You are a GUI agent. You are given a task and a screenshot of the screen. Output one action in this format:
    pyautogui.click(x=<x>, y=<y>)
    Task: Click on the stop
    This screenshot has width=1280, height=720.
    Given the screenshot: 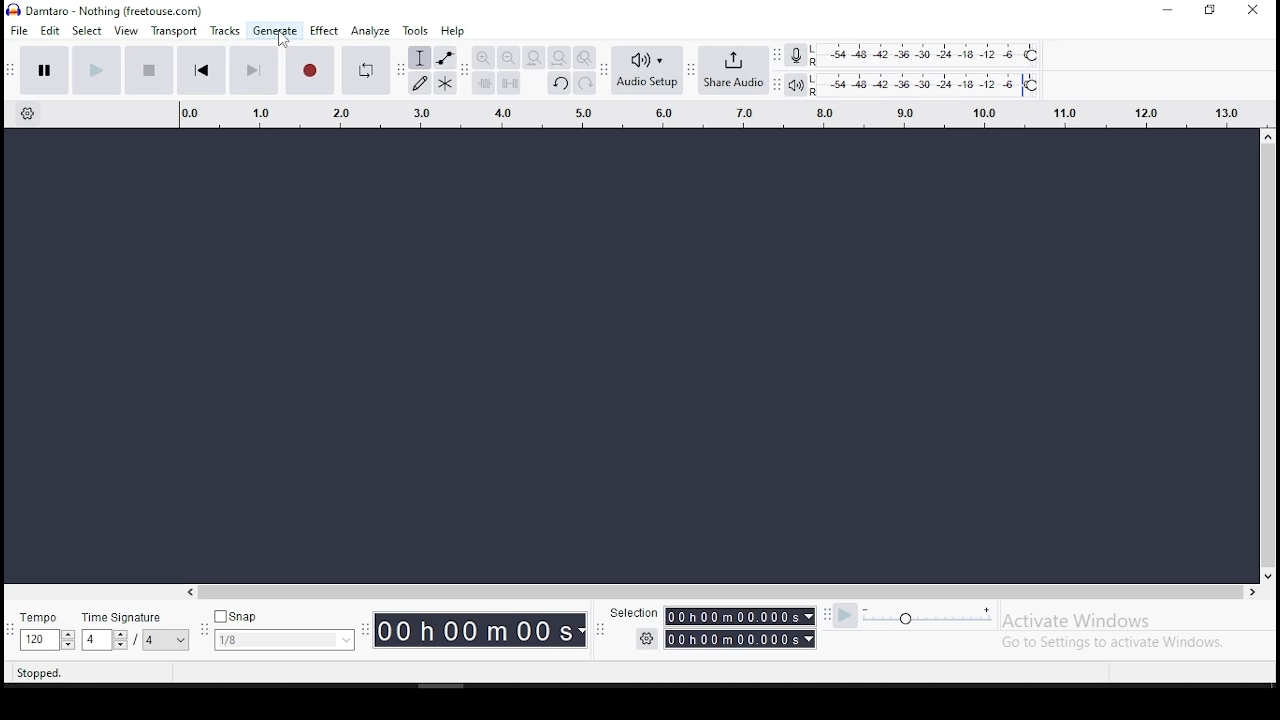 What is the action you would take?
    pyautogui.click(x=148, y=69)
    